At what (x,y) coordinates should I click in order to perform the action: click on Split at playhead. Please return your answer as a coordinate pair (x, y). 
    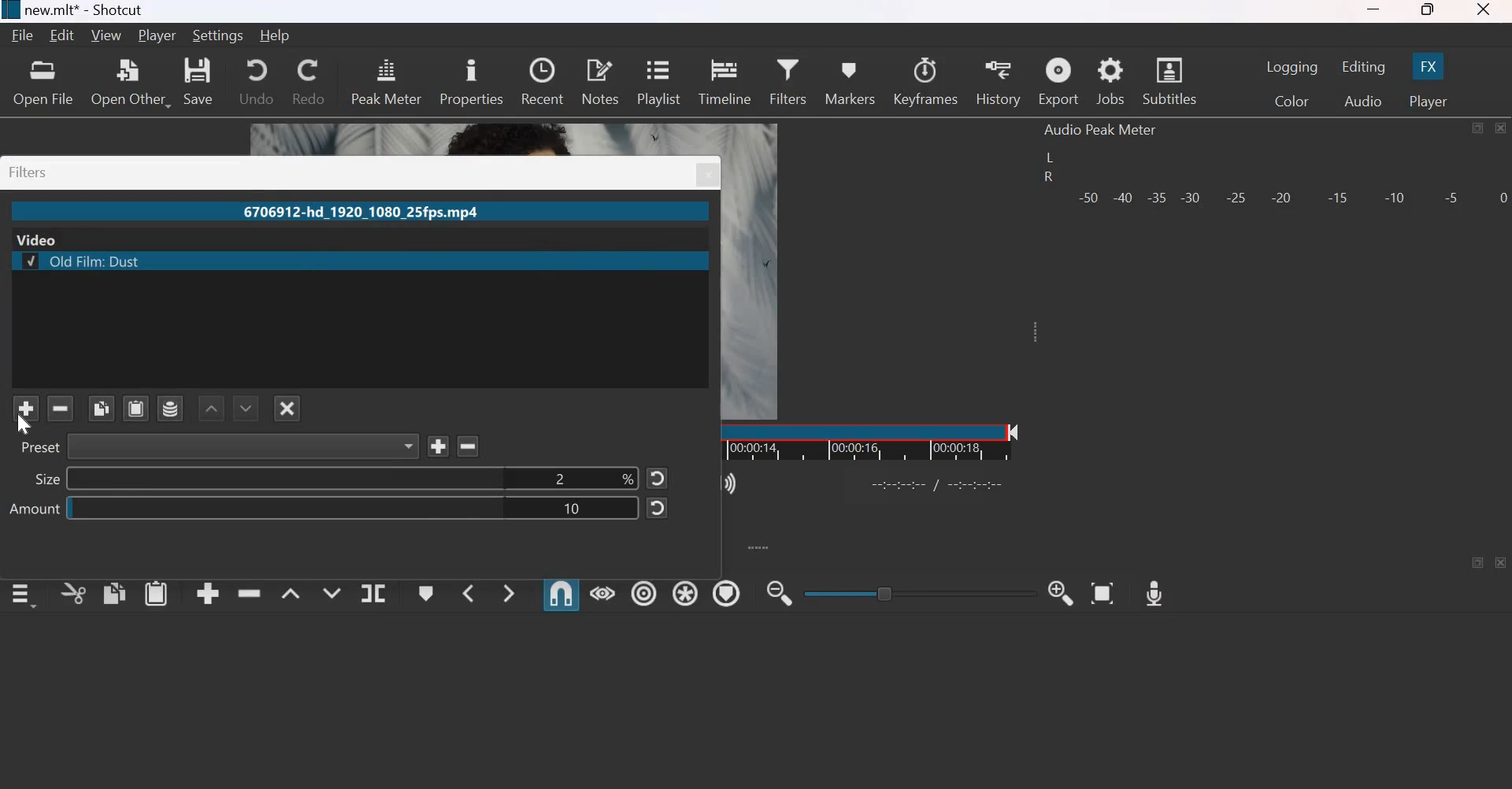
    Looking at the image, I should click on (373, 592).